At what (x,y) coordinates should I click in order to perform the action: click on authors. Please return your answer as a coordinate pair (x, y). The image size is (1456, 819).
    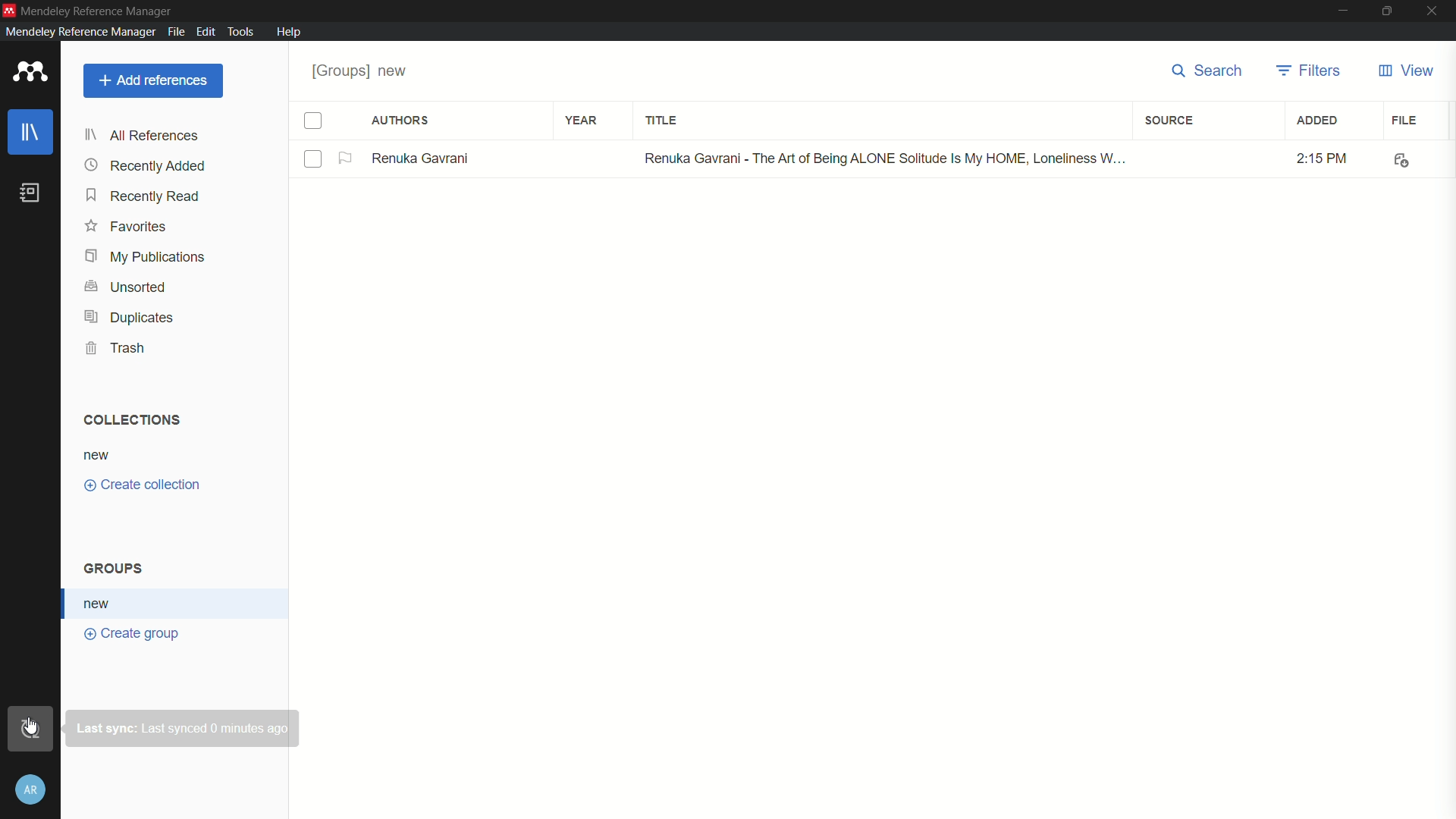
    Looking at the image, I should click on (401, 121).